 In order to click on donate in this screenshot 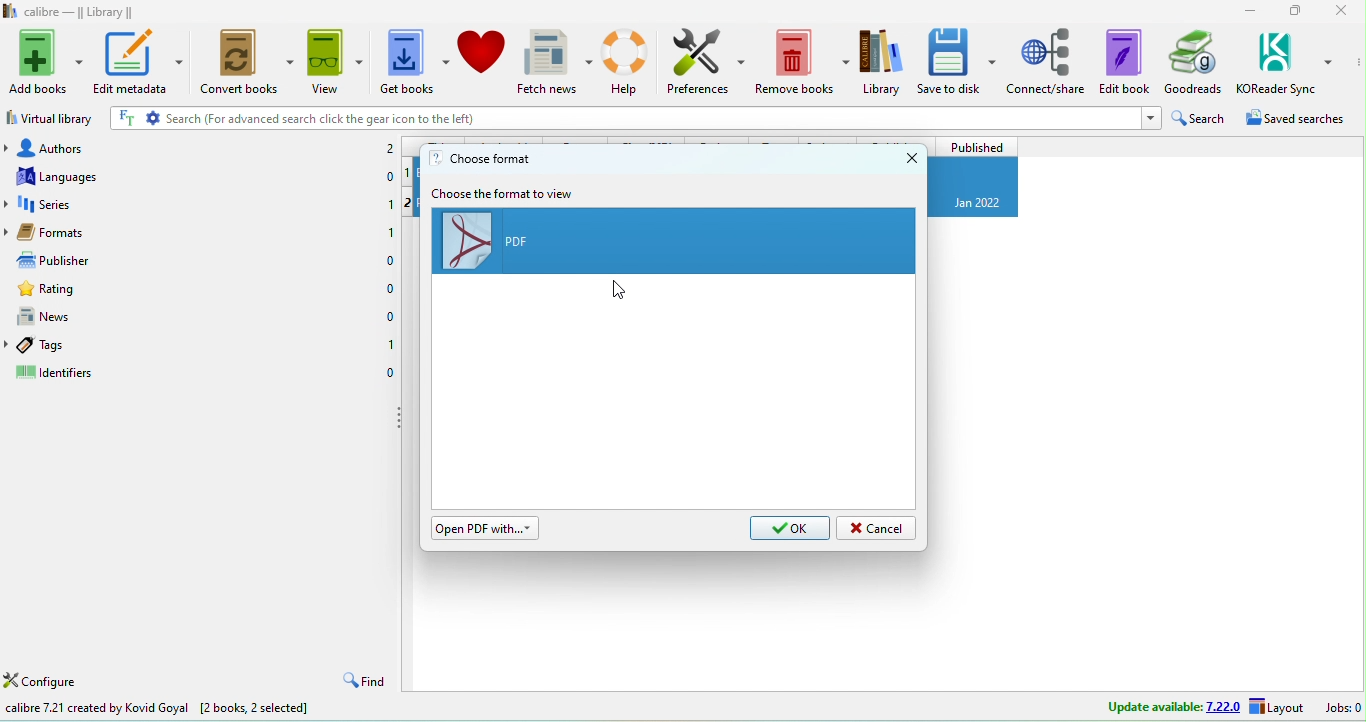, I will do `click(483, 61)`.